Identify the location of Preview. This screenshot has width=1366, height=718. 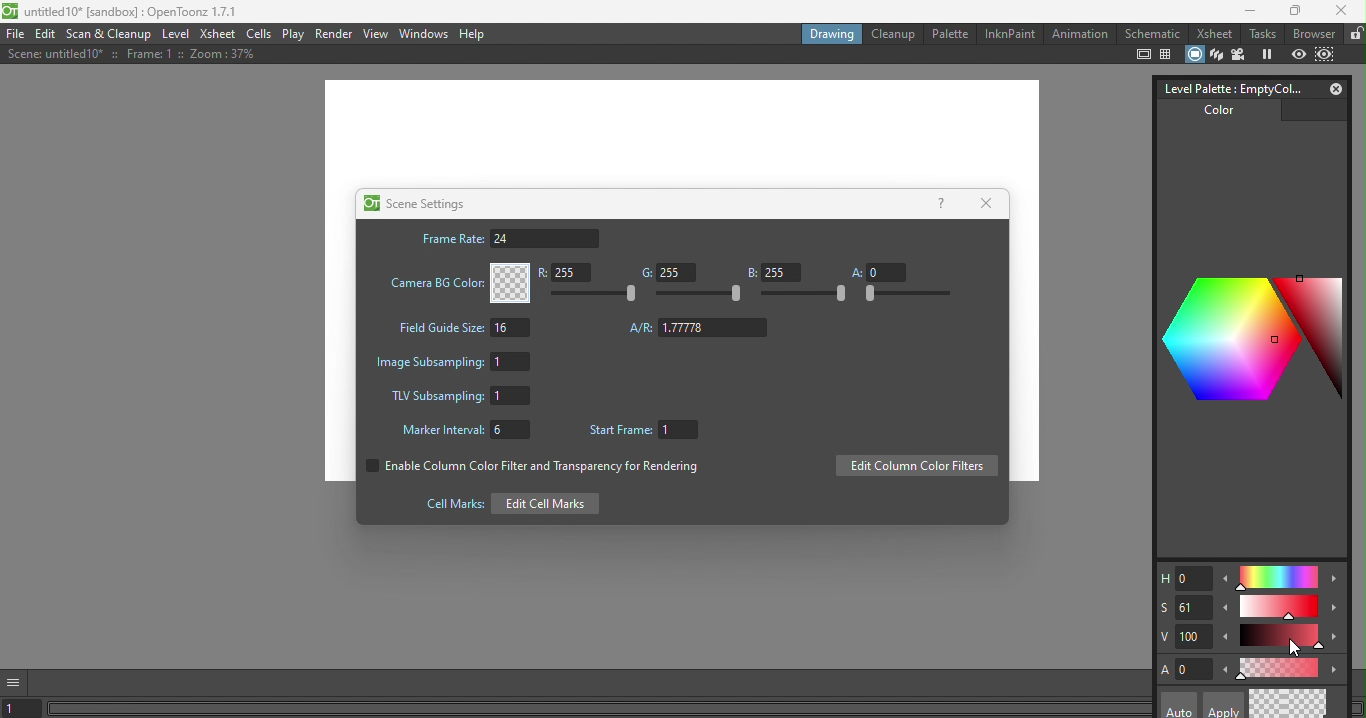
(1299, 54).